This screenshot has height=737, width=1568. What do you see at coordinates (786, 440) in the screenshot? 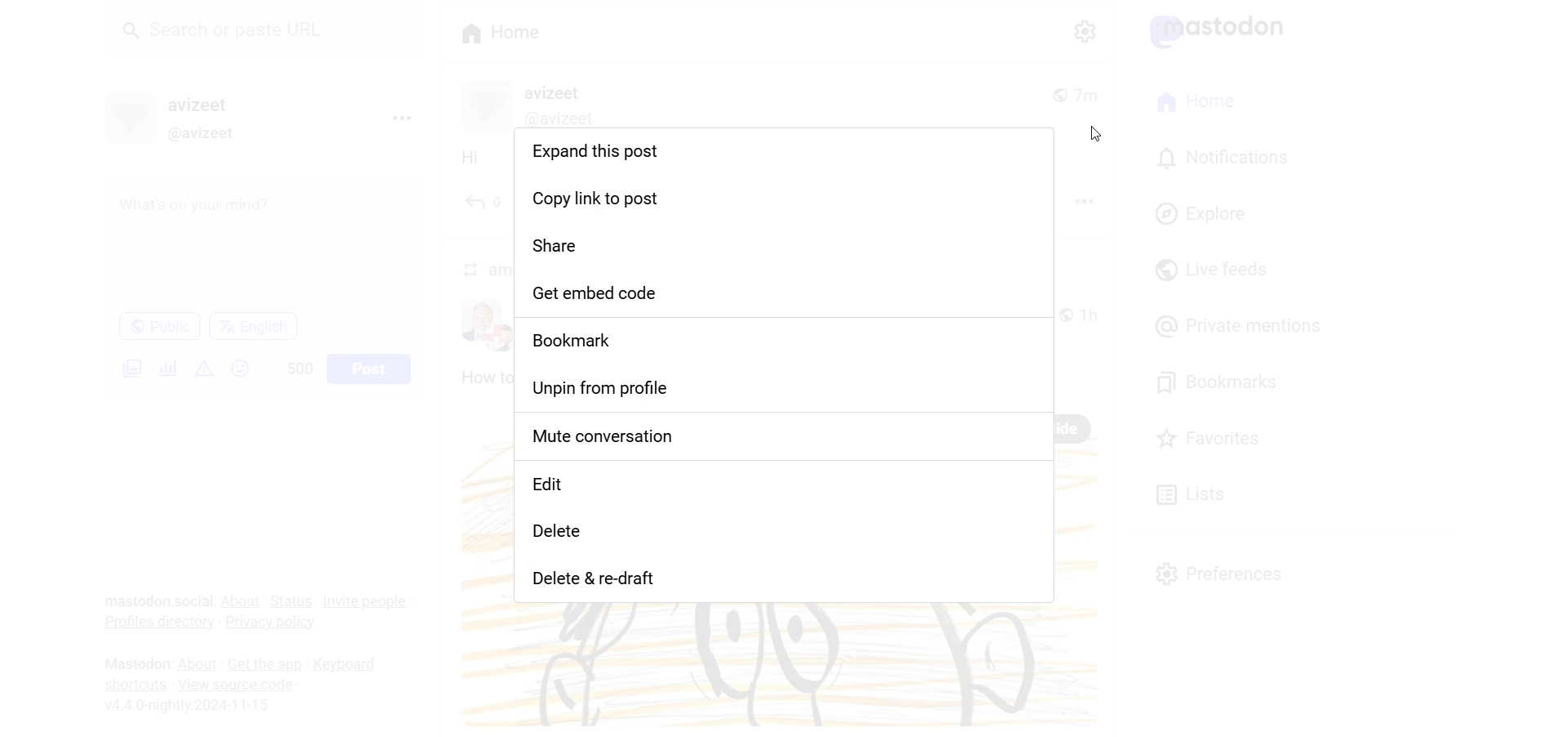
I see `Mute Conversation` at bounding box center [786, 440].